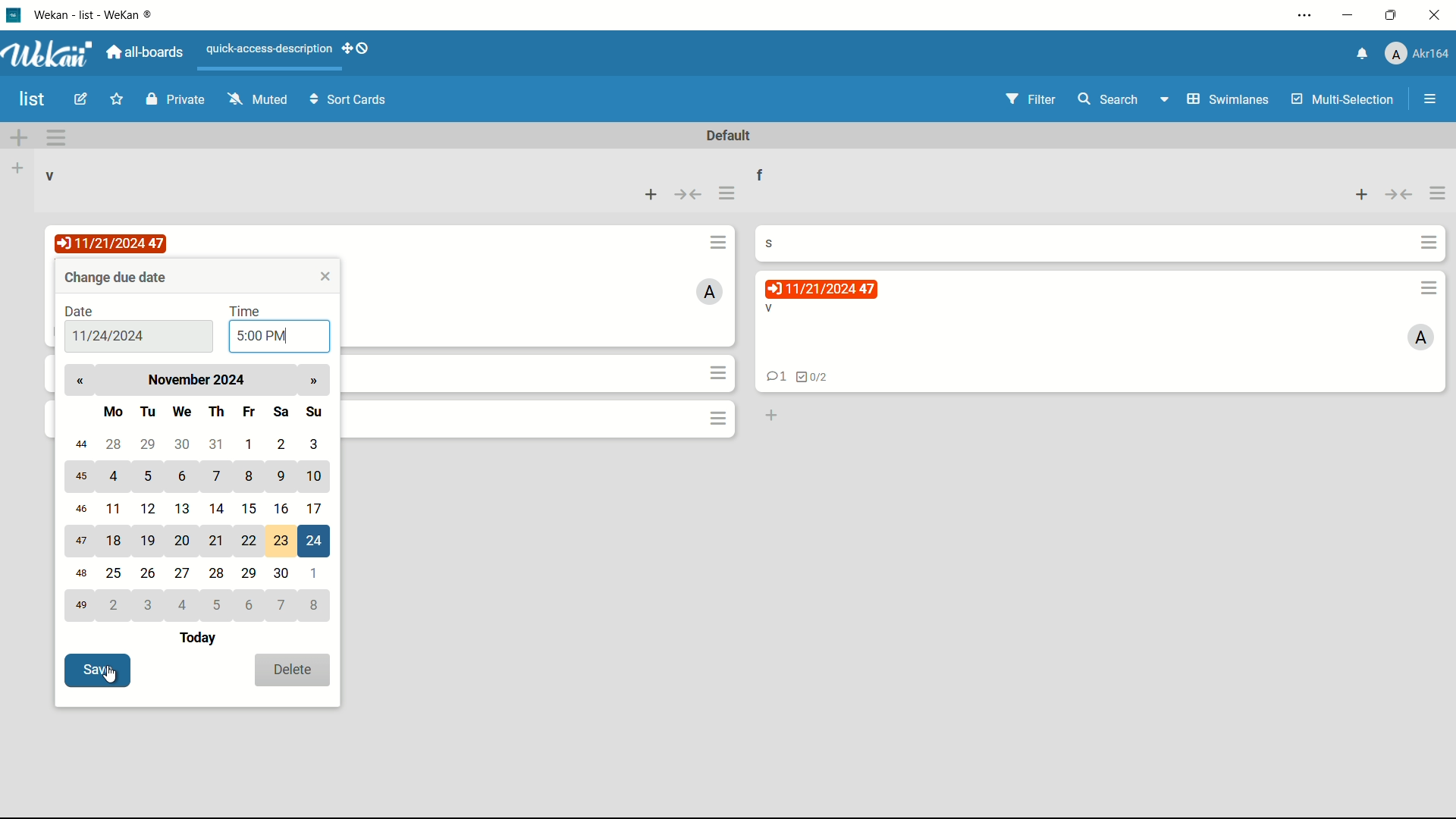 The width and height of the screenshot is (1456, 819). What do you see at coordinates (218, 478) in the screenshot?
I see `7` at bounding box center [218, 478].